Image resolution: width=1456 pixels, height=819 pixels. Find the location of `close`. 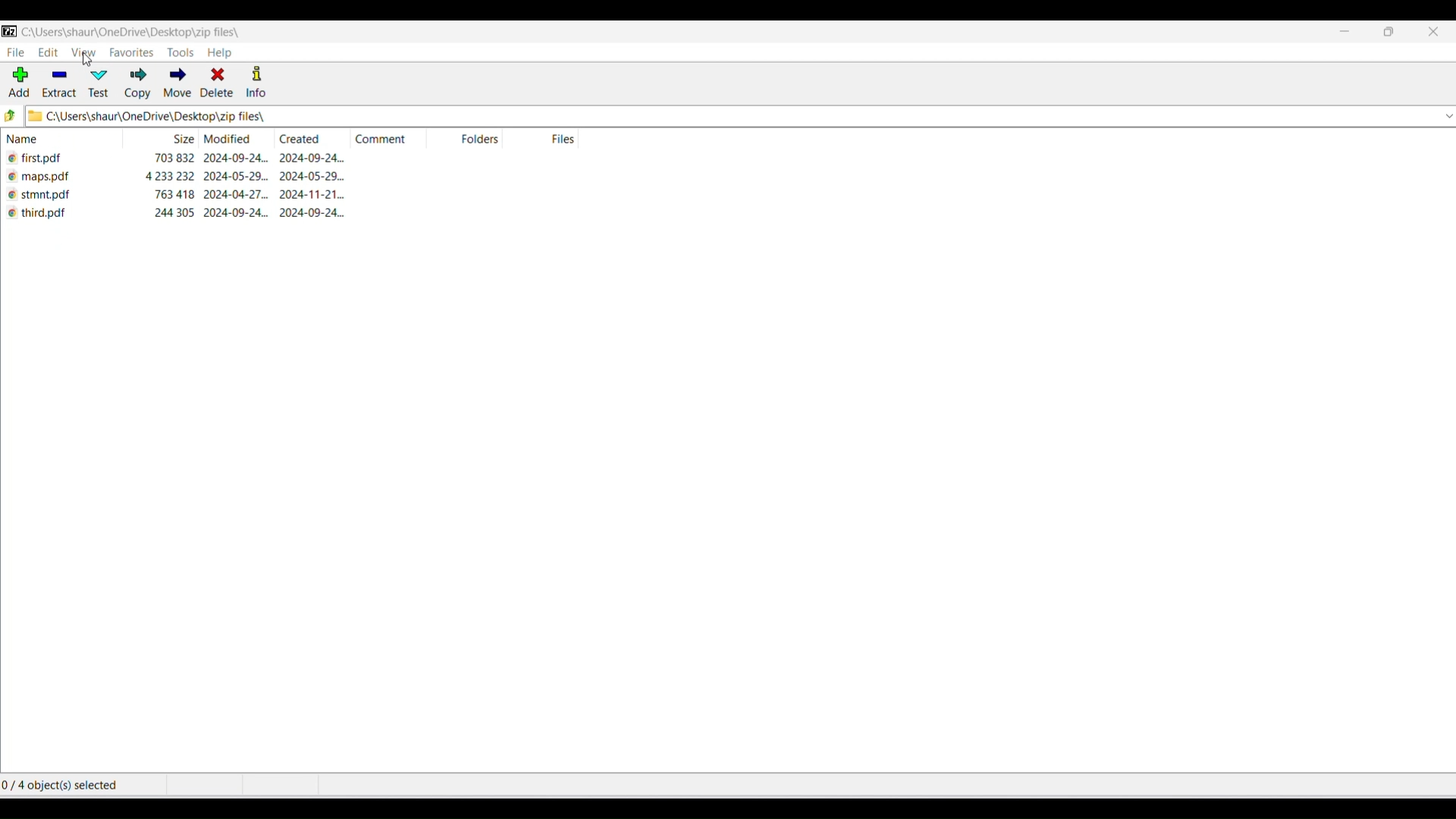

close is located at coordinates (1434, 34).